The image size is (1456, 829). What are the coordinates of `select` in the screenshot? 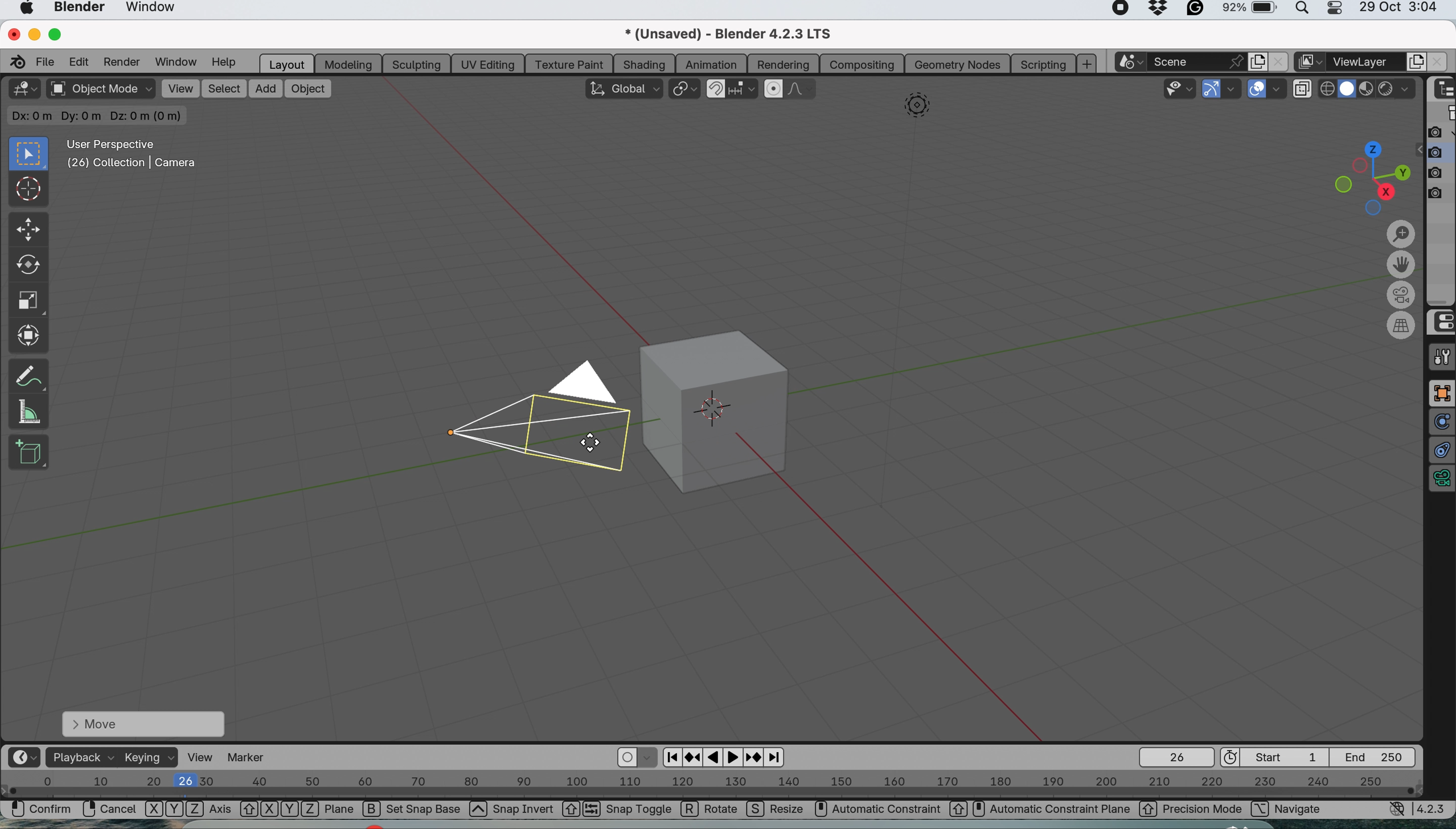 It's located at (224, 89).